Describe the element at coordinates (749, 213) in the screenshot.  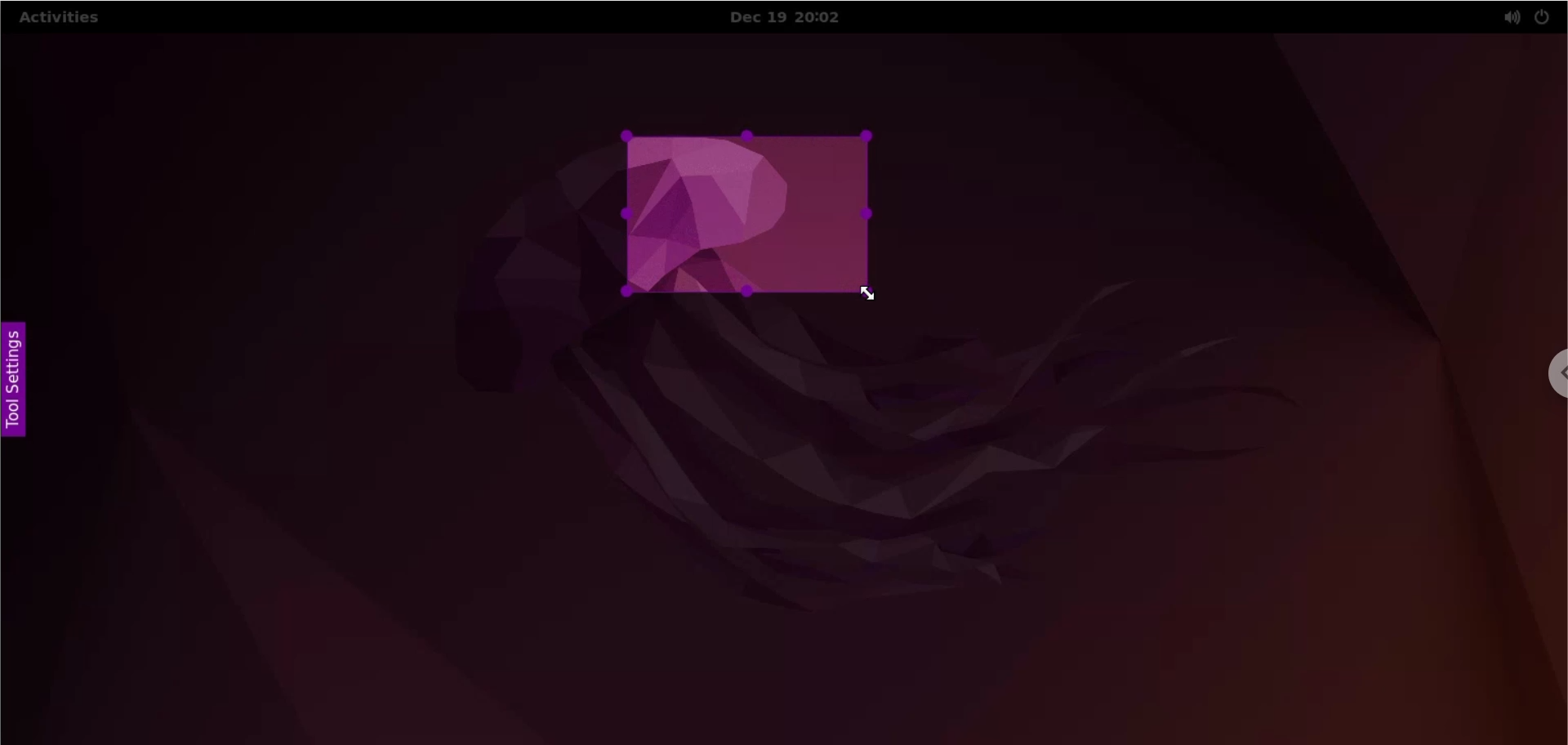
I see `selected area` at that location.